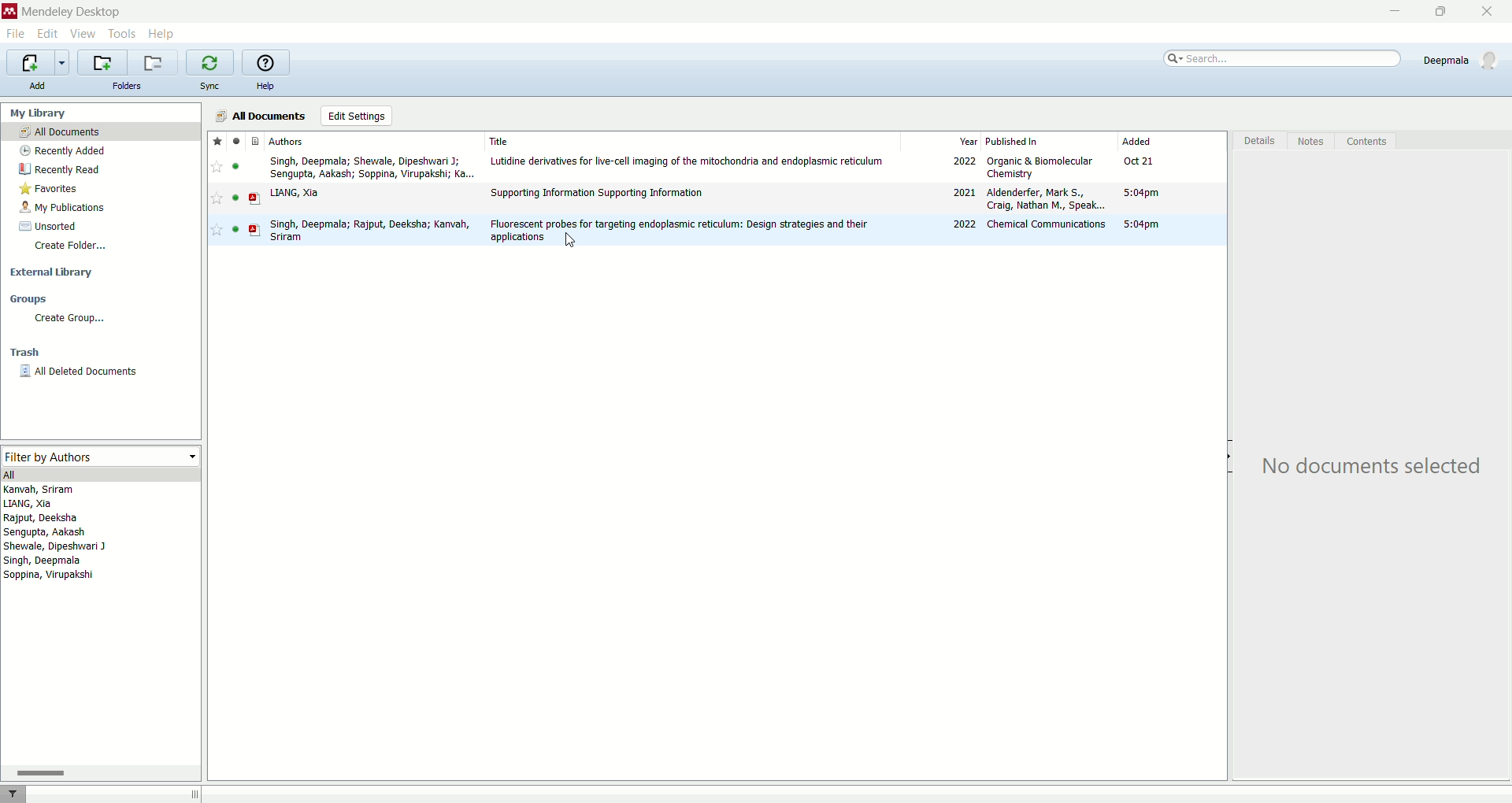 The height and width of the screenshot is (803, 1512). What do you see at coordinates (1258, 142) in the screenshot?
I see `details` at bounding box center [1258, 142].